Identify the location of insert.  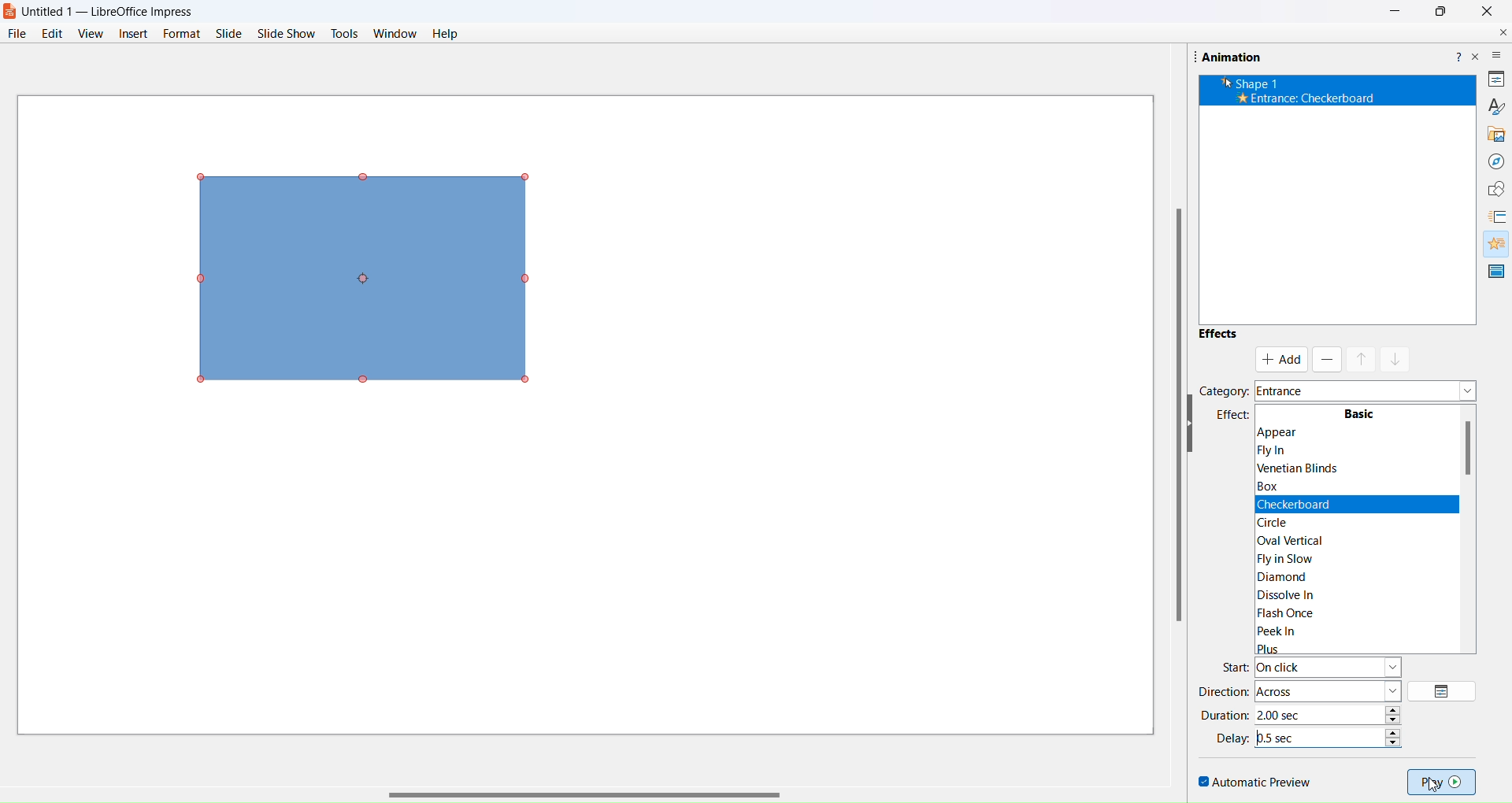
(133, 32).